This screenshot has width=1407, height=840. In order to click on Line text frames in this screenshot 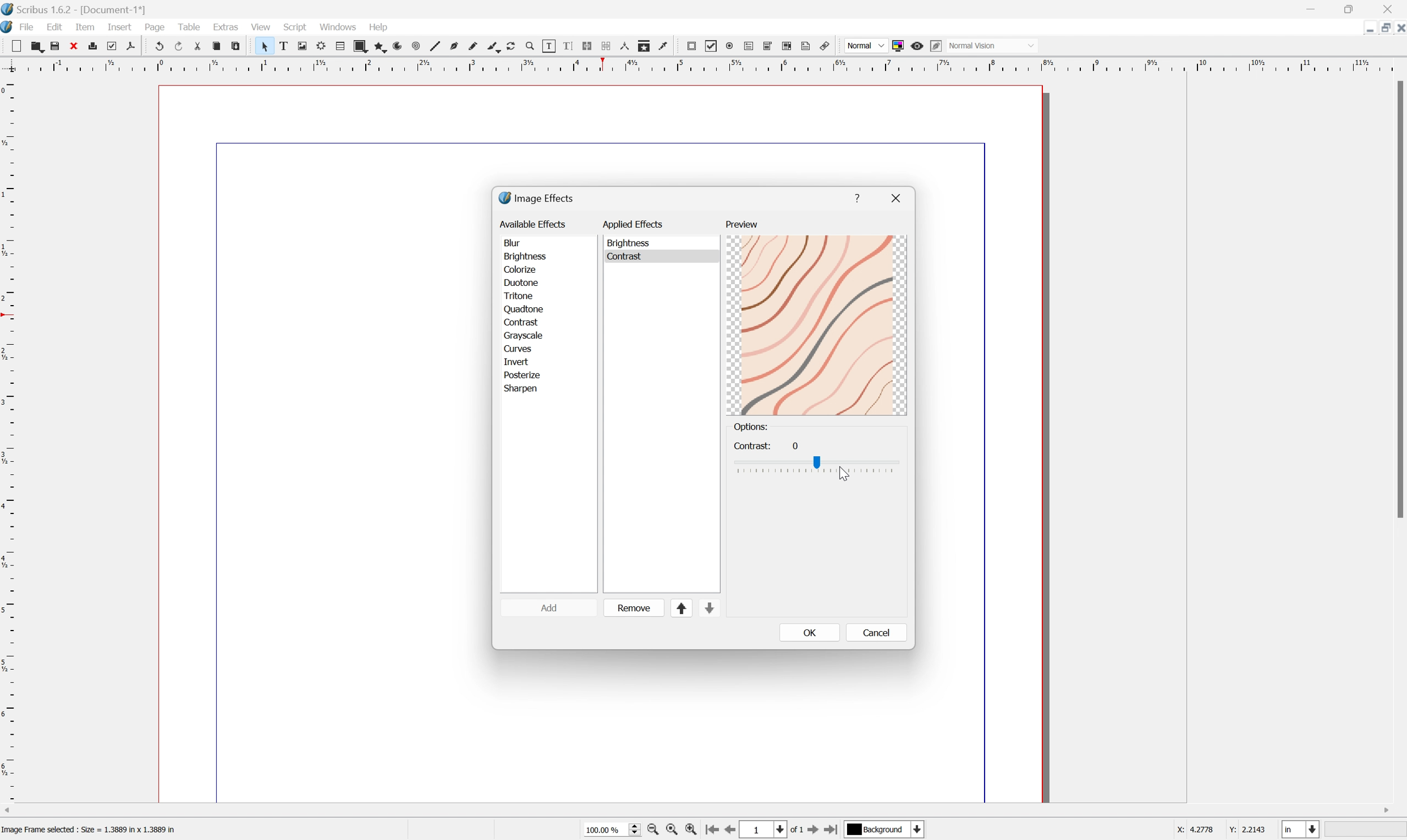, I will do `click(588, 45)`.